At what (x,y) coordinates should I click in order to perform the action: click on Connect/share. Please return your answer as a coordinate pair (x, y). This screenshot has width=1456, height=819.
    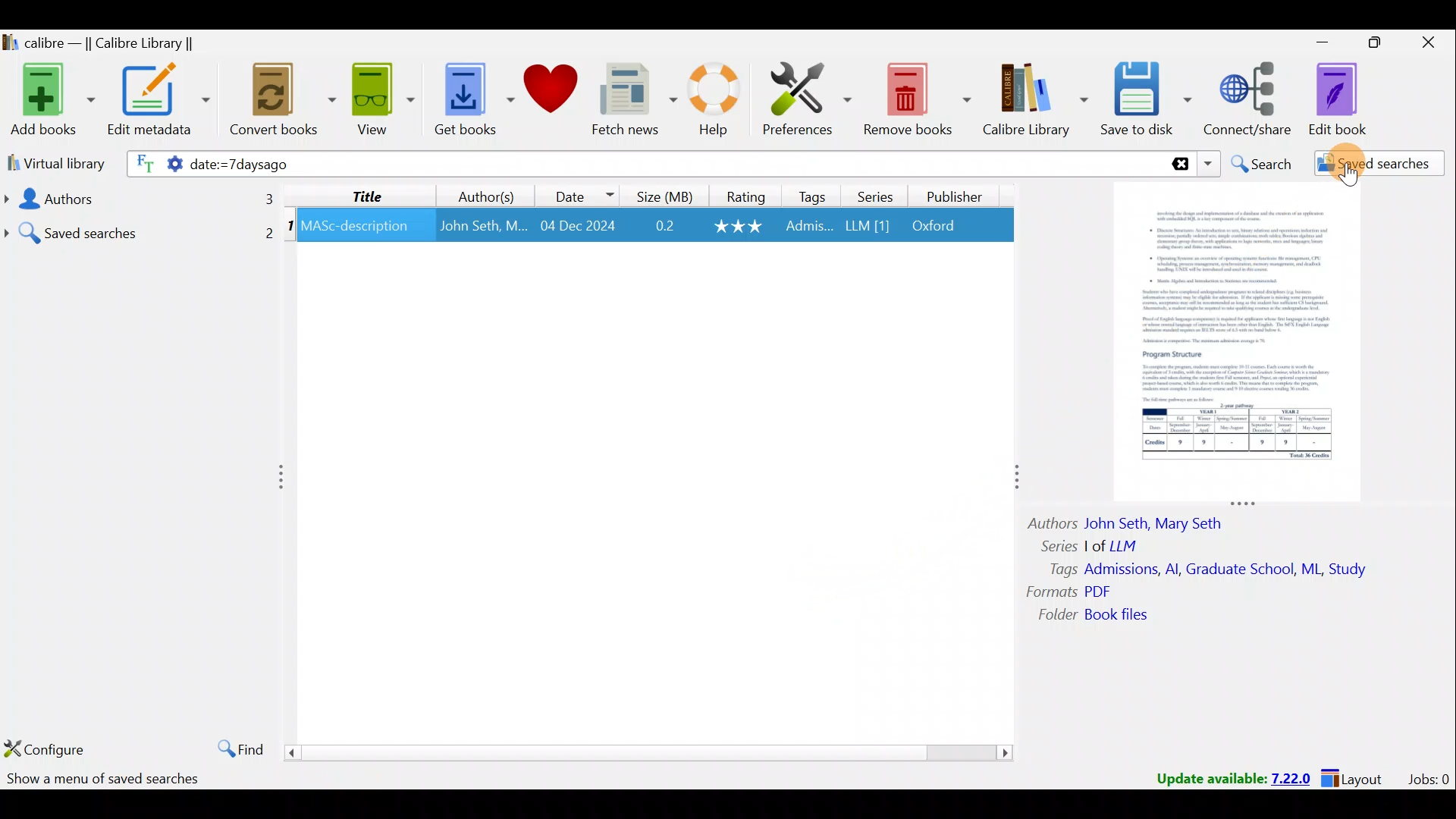
    Looking at the image, I should click on (1251, 100).